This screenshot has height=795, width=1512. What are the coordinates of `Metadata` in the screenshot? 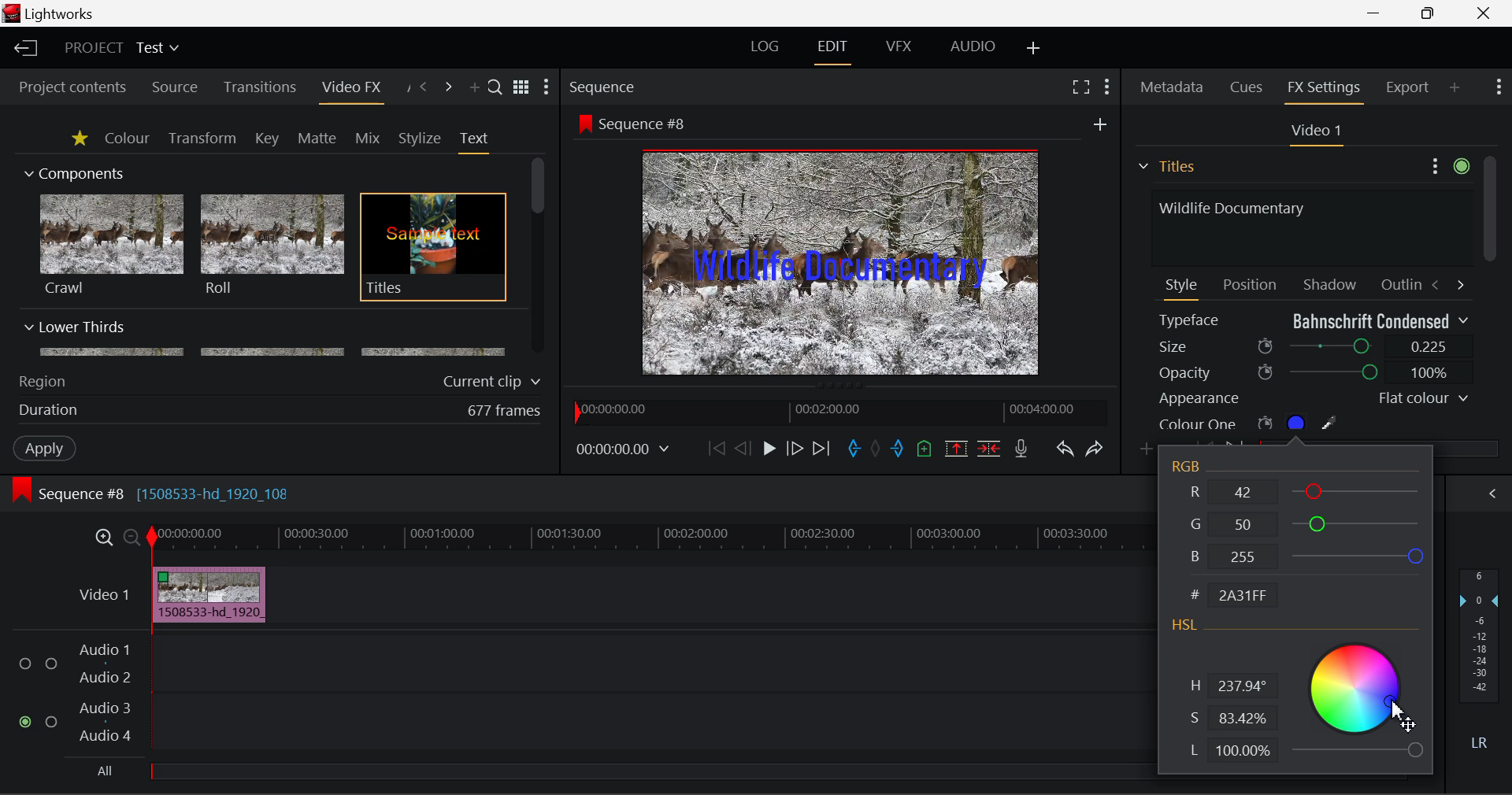 It's located at (1173, 89).